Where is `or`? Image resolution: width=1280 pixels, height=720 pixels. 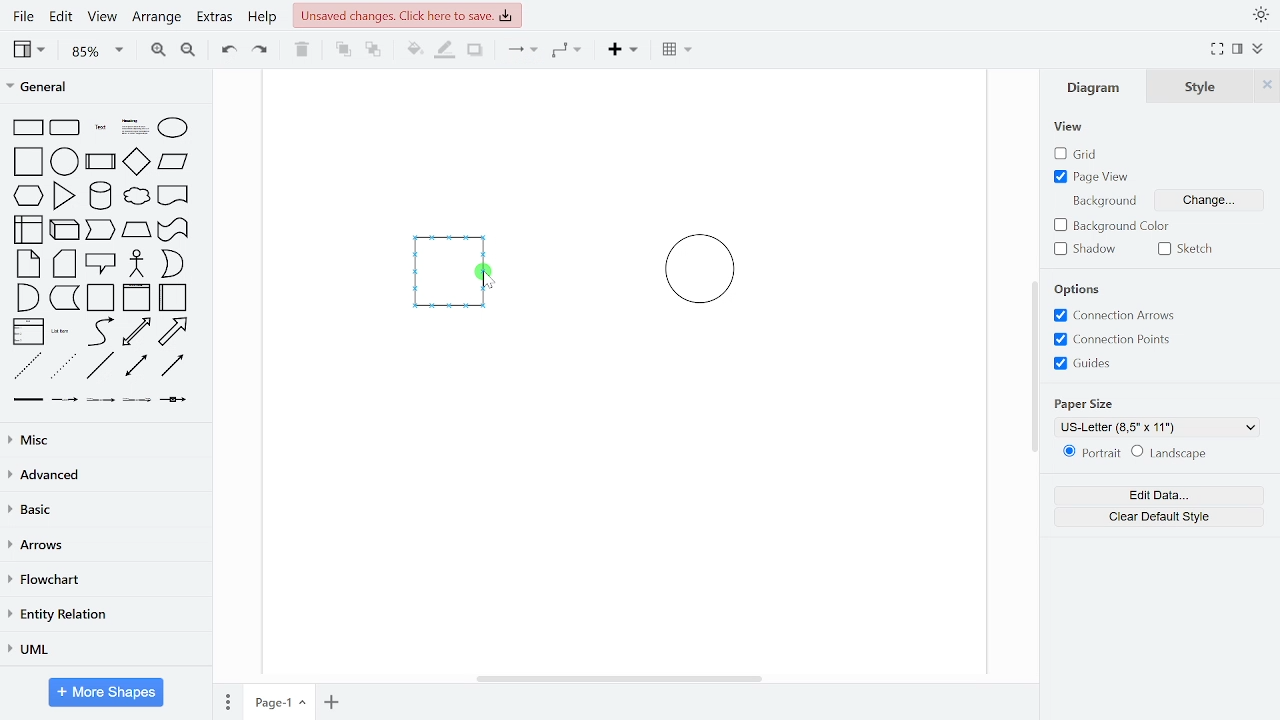
or is located at coordinates (172, 264).